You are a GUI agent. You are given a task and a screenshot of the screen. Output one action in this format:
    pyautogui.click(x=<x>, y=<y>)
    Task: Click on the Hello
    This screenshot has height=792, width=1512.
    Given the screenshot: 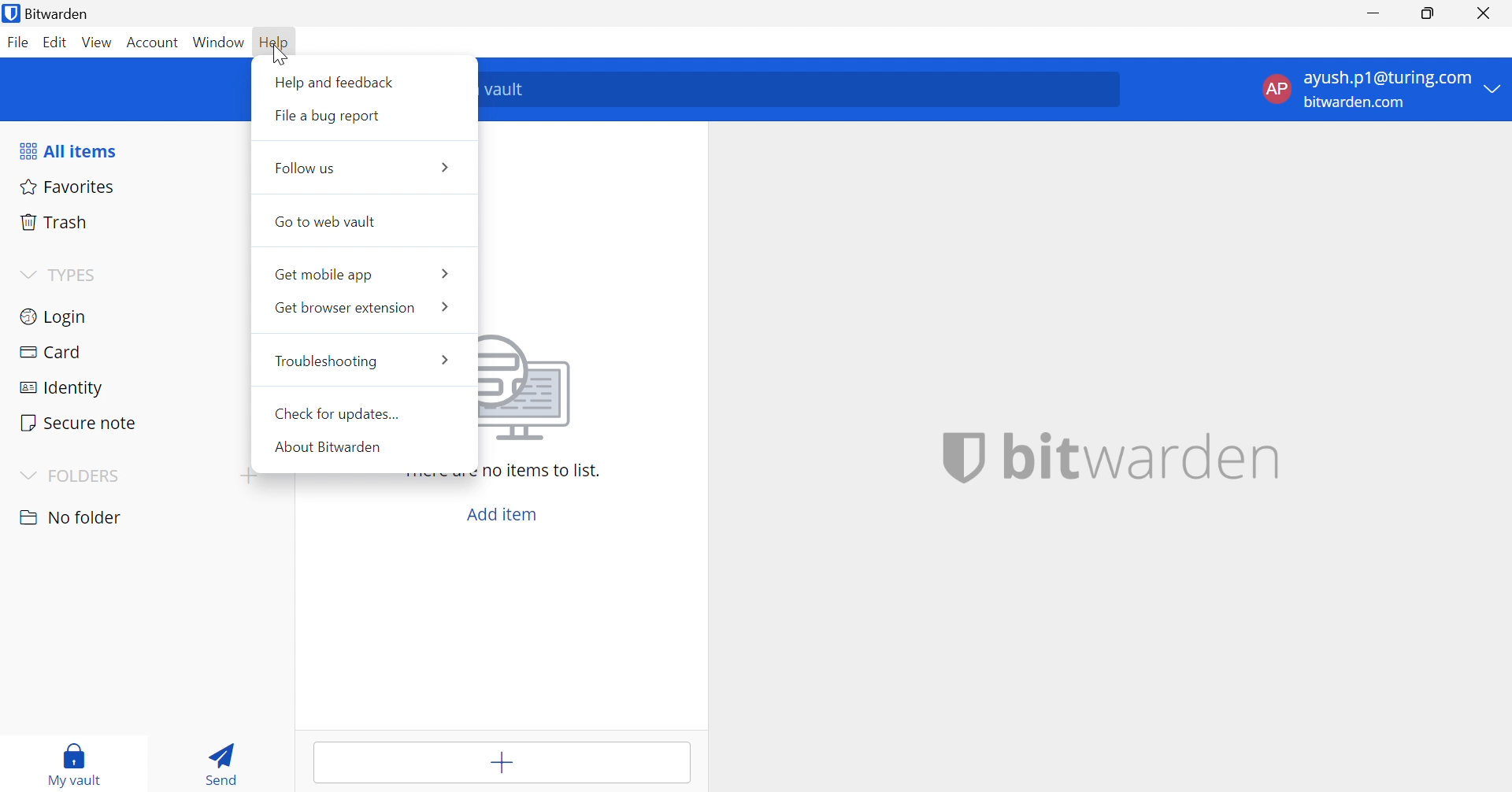 What is the action you would take?
    pyautogui.click(x=277, y=41)
    